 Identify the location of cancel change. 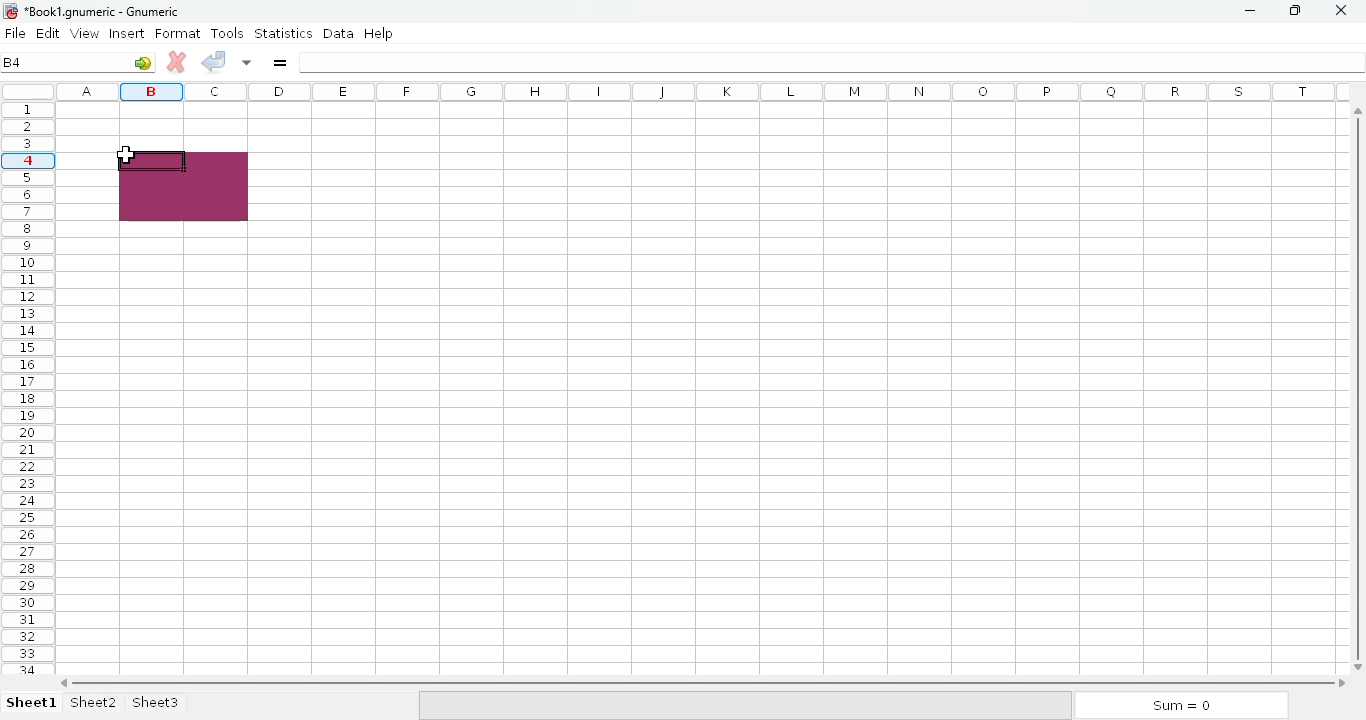
(176, 62).